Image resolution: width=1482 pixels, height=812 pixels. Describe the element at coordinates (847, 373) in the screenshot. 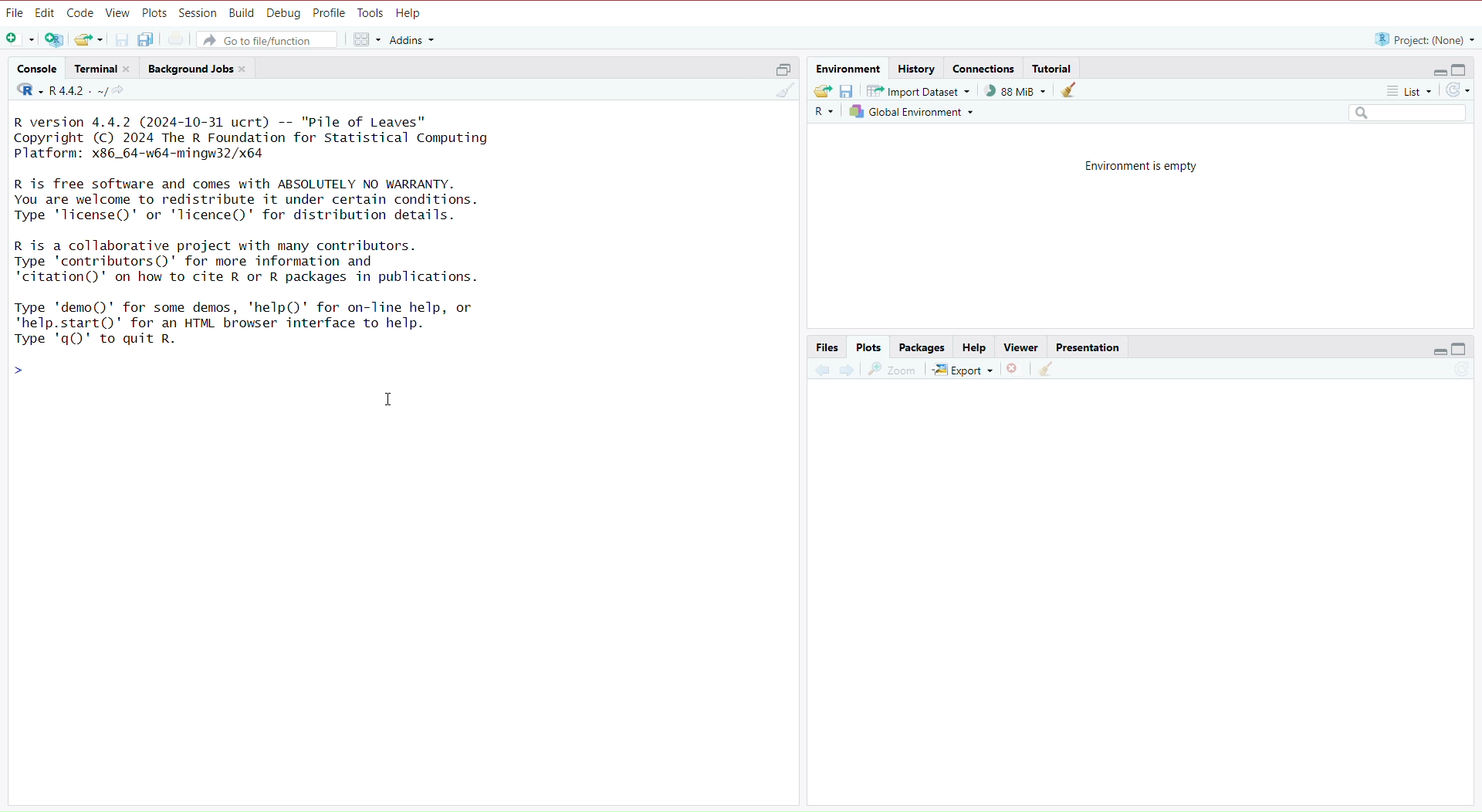

I see `forward` at that location.